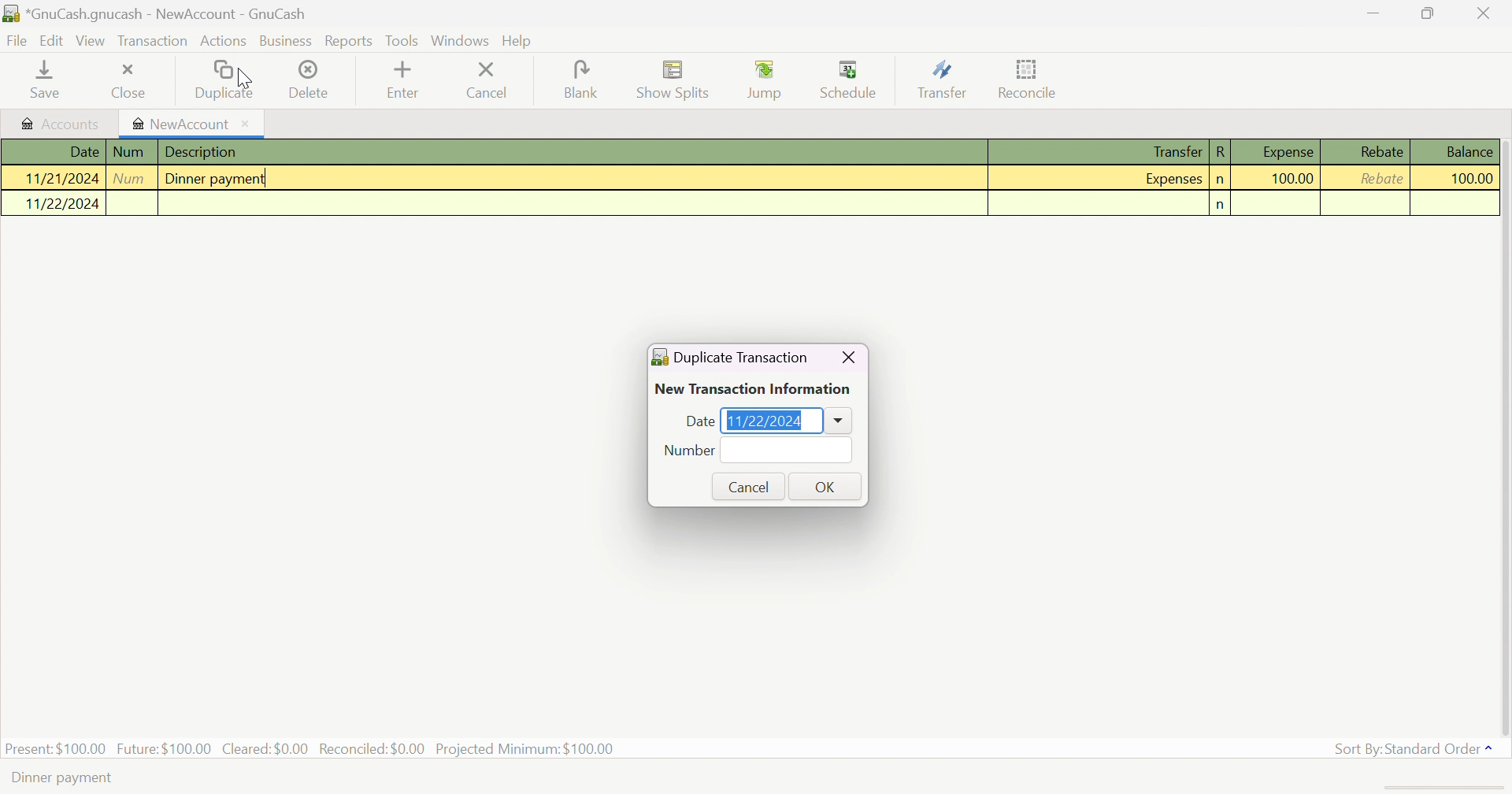 The height and width of the screenshot is (794, 1512). Describe the element at coordinates (524, 749) in the screenshot. I see `Projected Minimum: $100.00` at that location.